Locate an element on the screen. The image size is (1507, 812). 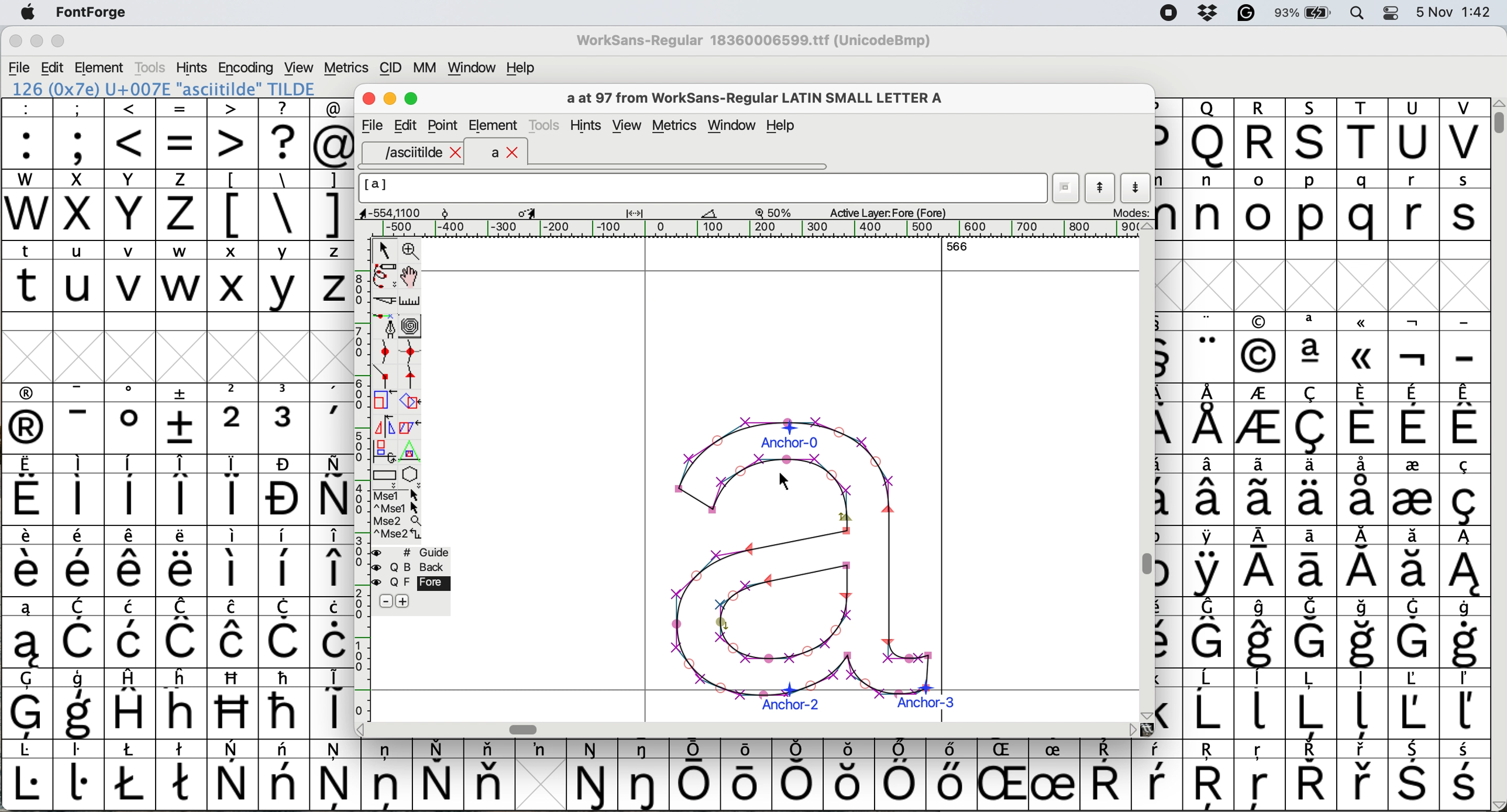
symbol is located at coordinates (1463, 704).